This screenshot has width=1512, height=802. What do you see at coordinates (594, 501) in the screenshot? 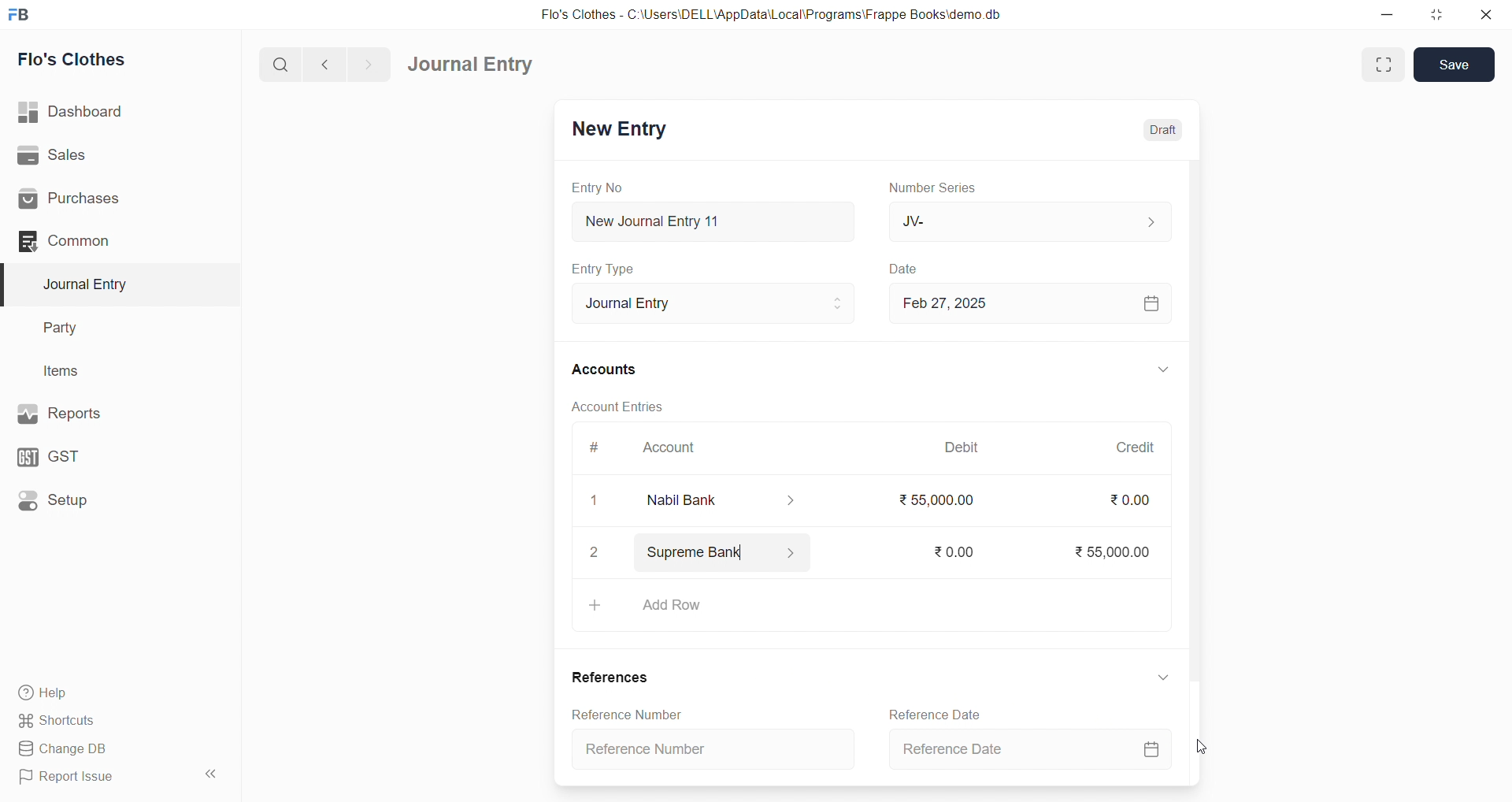
I see `1` at bounding box center [594, 501].